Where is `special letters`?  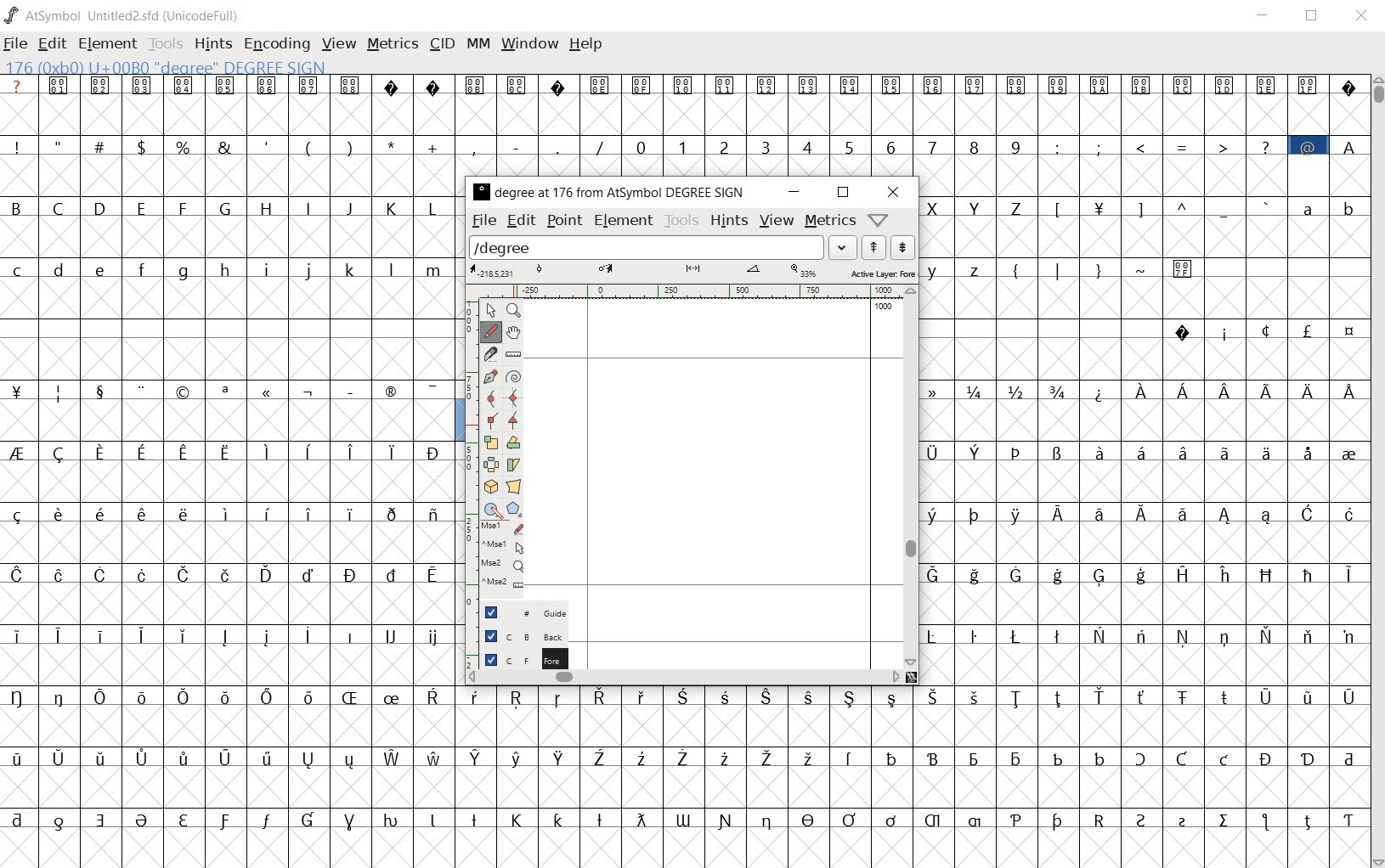 special letters is located at coordinates (685, 817).